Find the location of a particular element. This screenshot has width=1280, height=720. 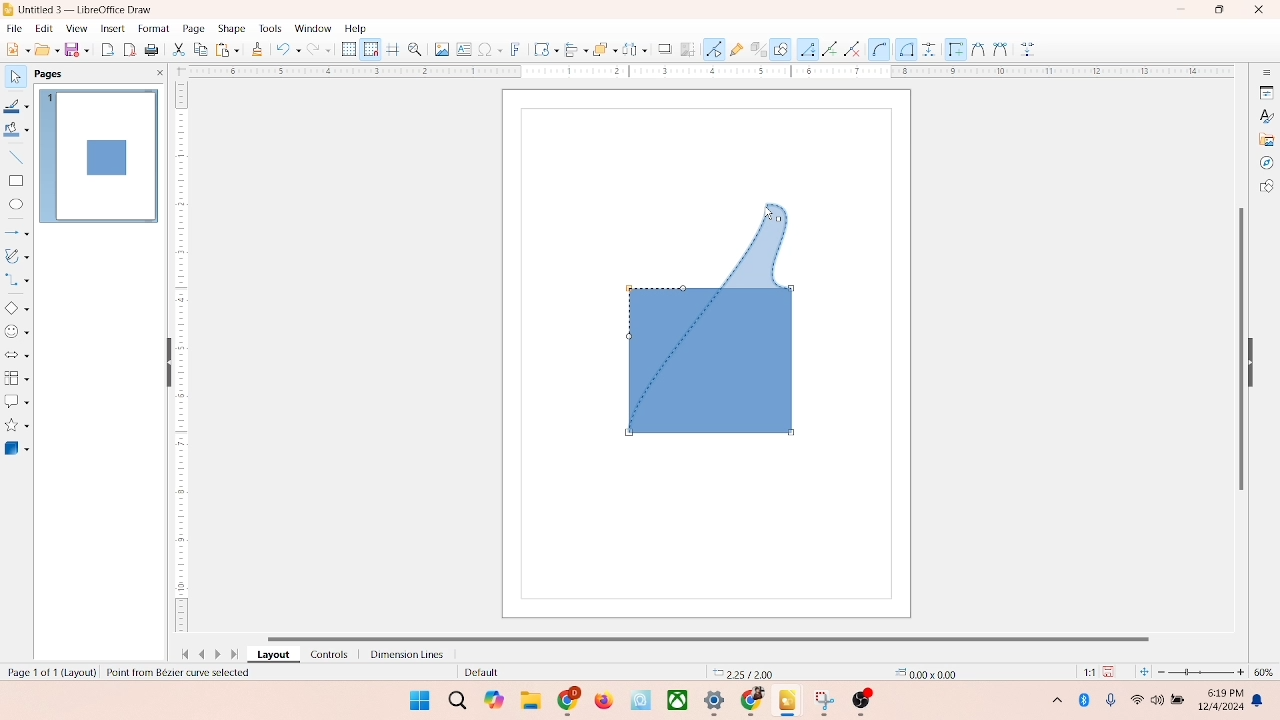

windows is located at coordinates (417, 700).